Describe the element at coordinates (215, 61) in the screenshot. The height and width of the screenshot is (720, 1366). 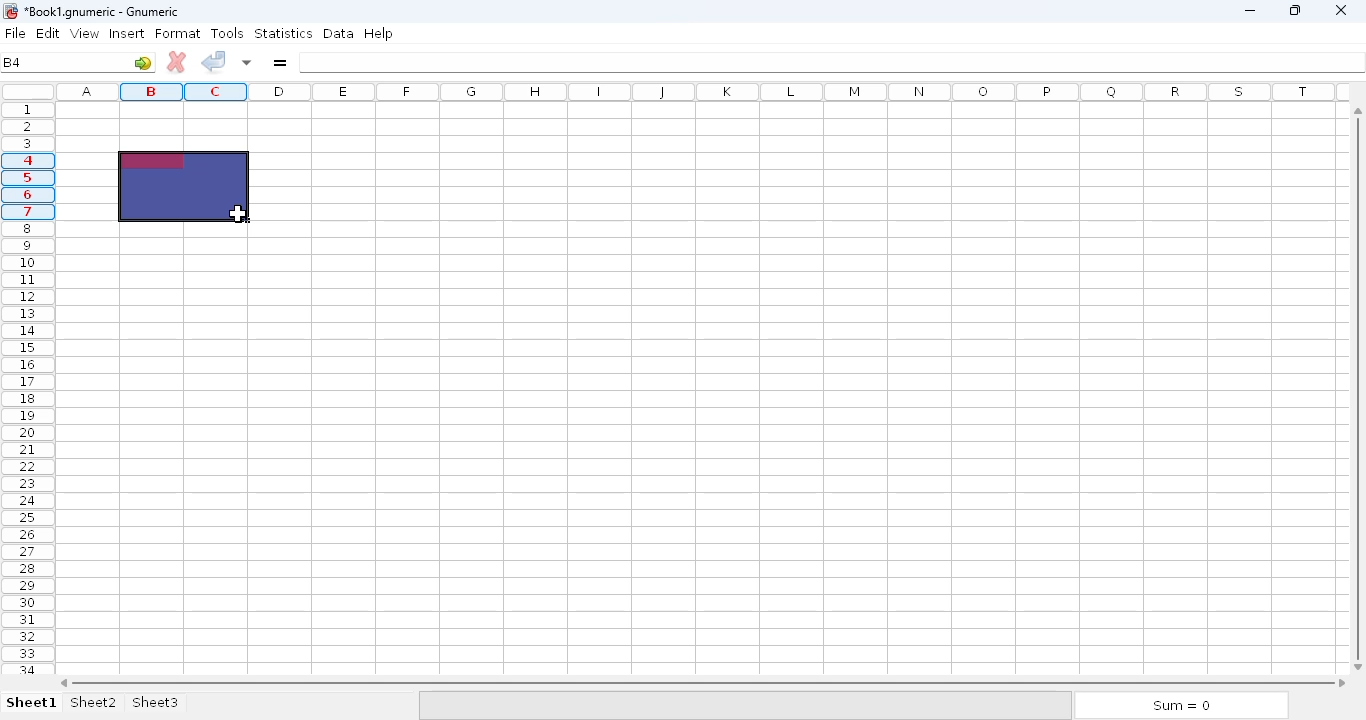
I see `accept change` at that location.